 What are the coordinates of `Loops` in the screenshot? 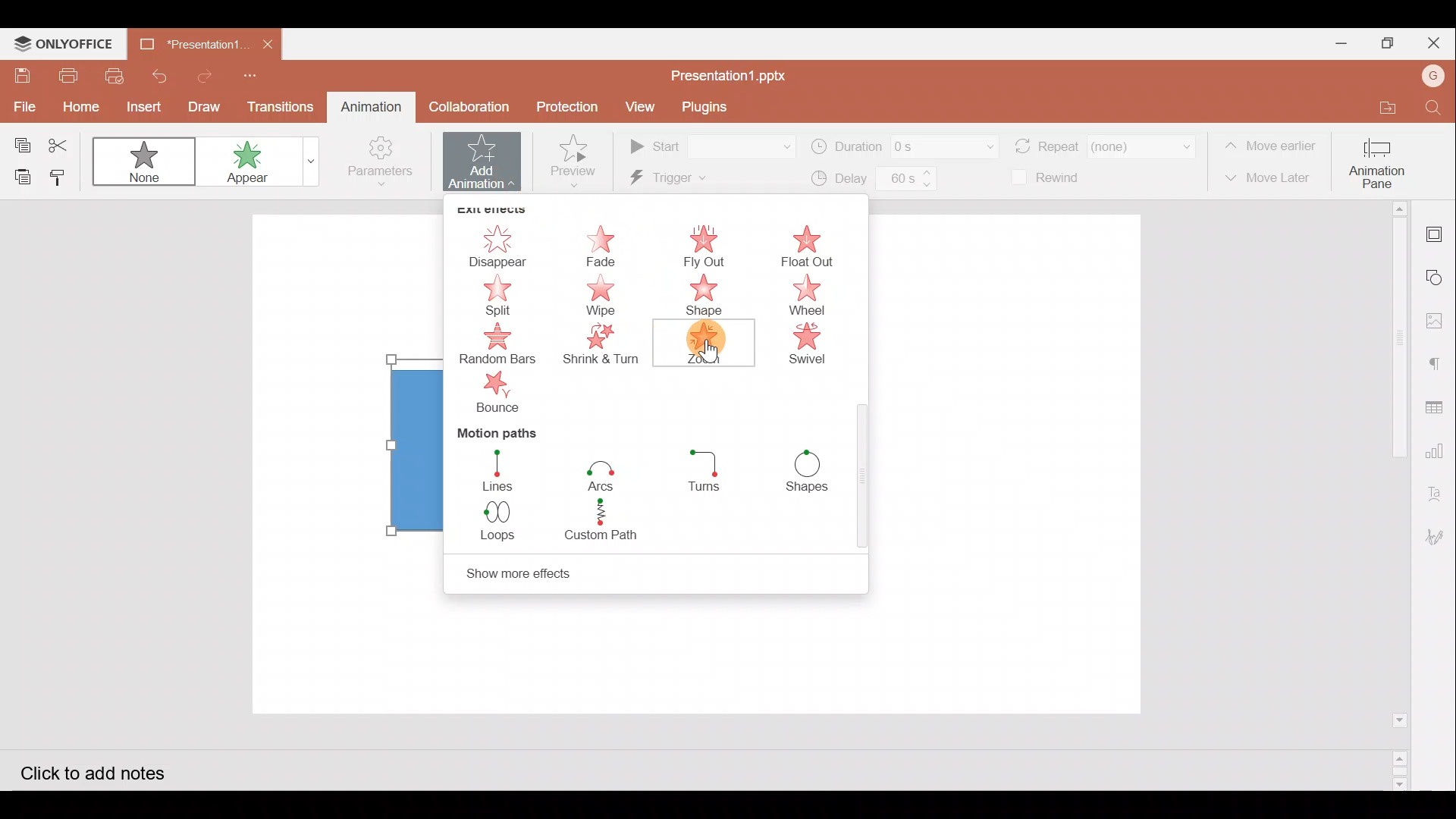 It's located at (495, 520).